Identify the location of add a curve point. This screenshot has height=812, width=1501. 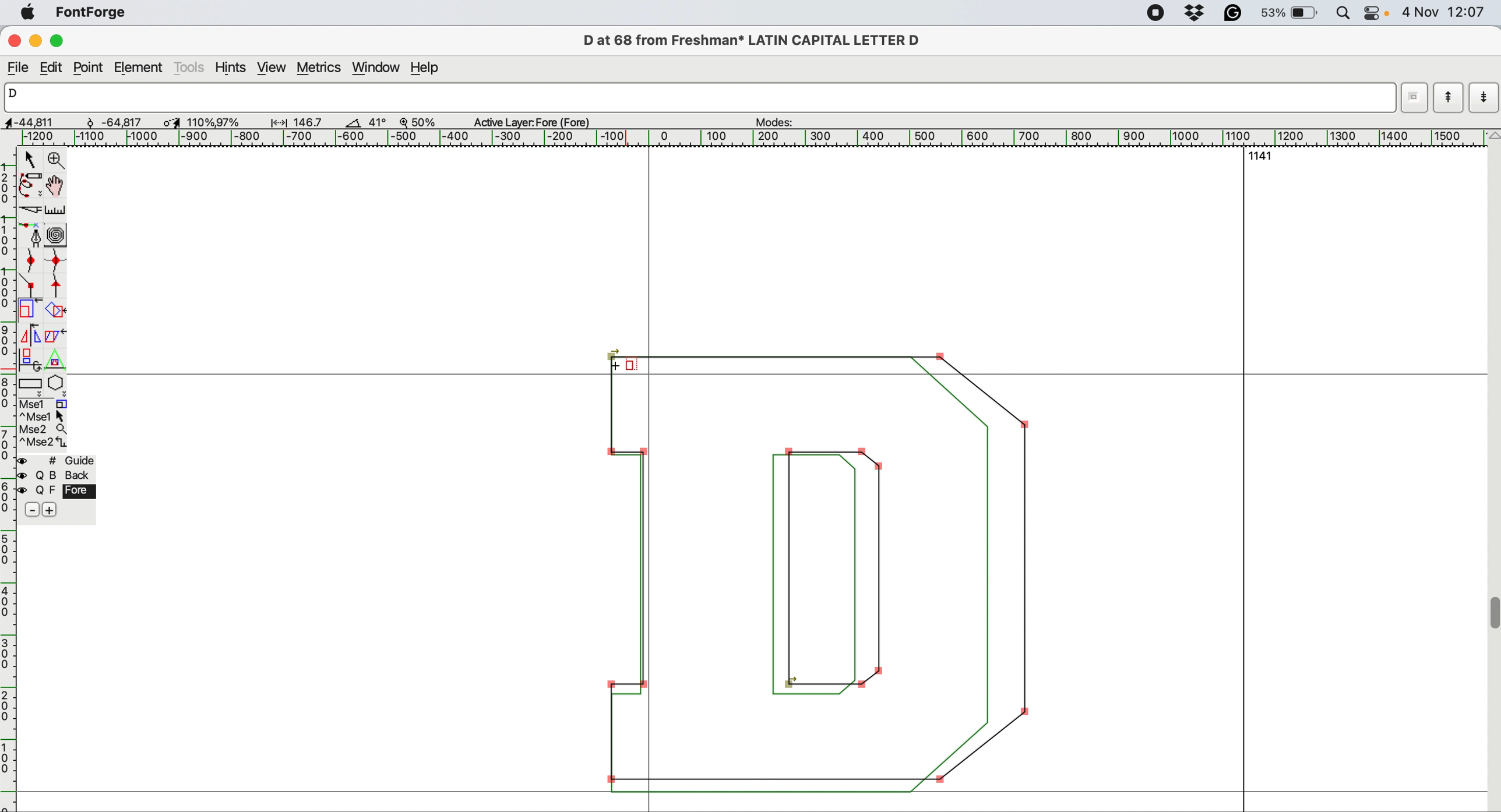
(28, 262).